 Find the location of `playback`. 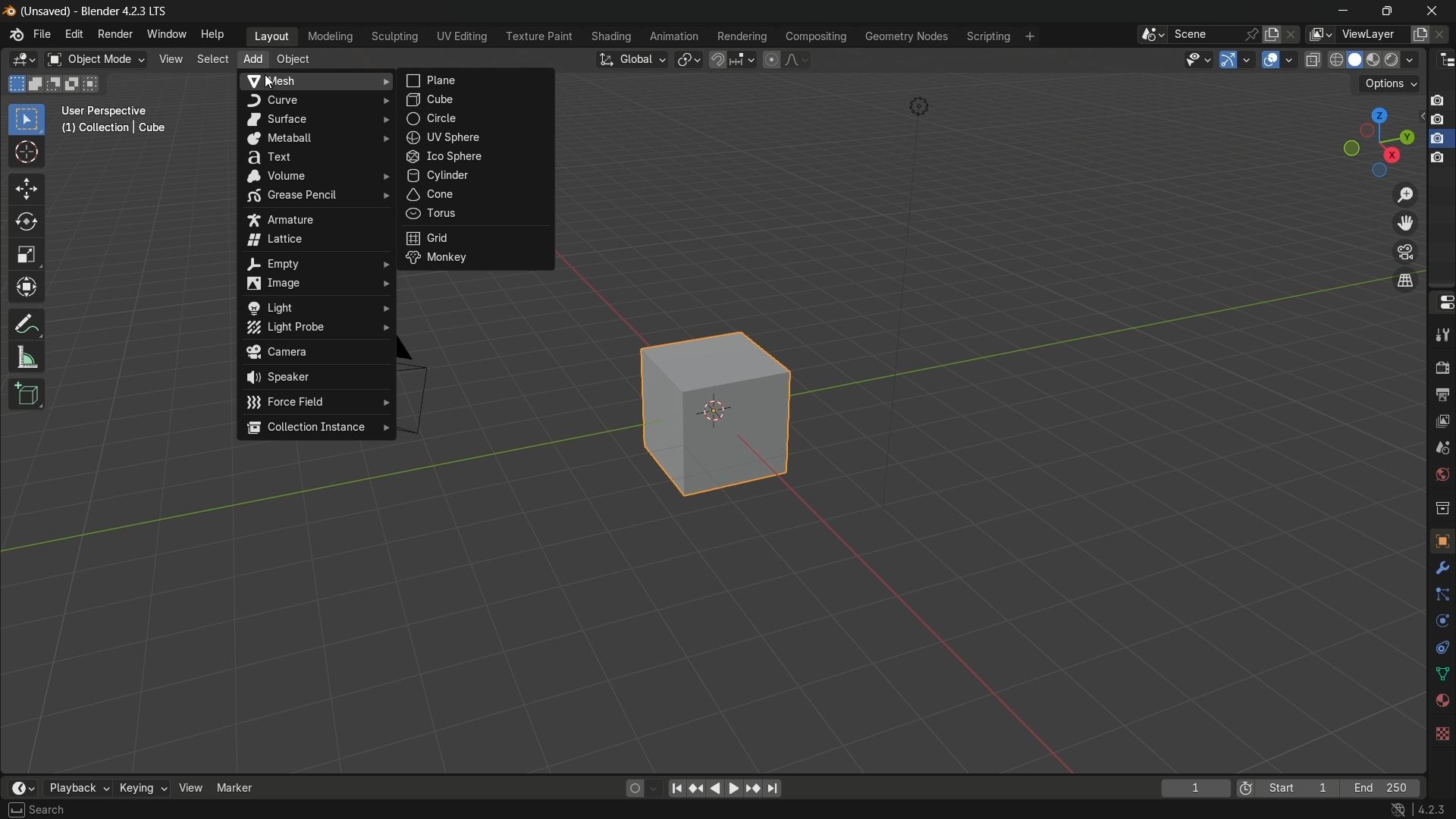

playback is located at coordinates (77, 788).